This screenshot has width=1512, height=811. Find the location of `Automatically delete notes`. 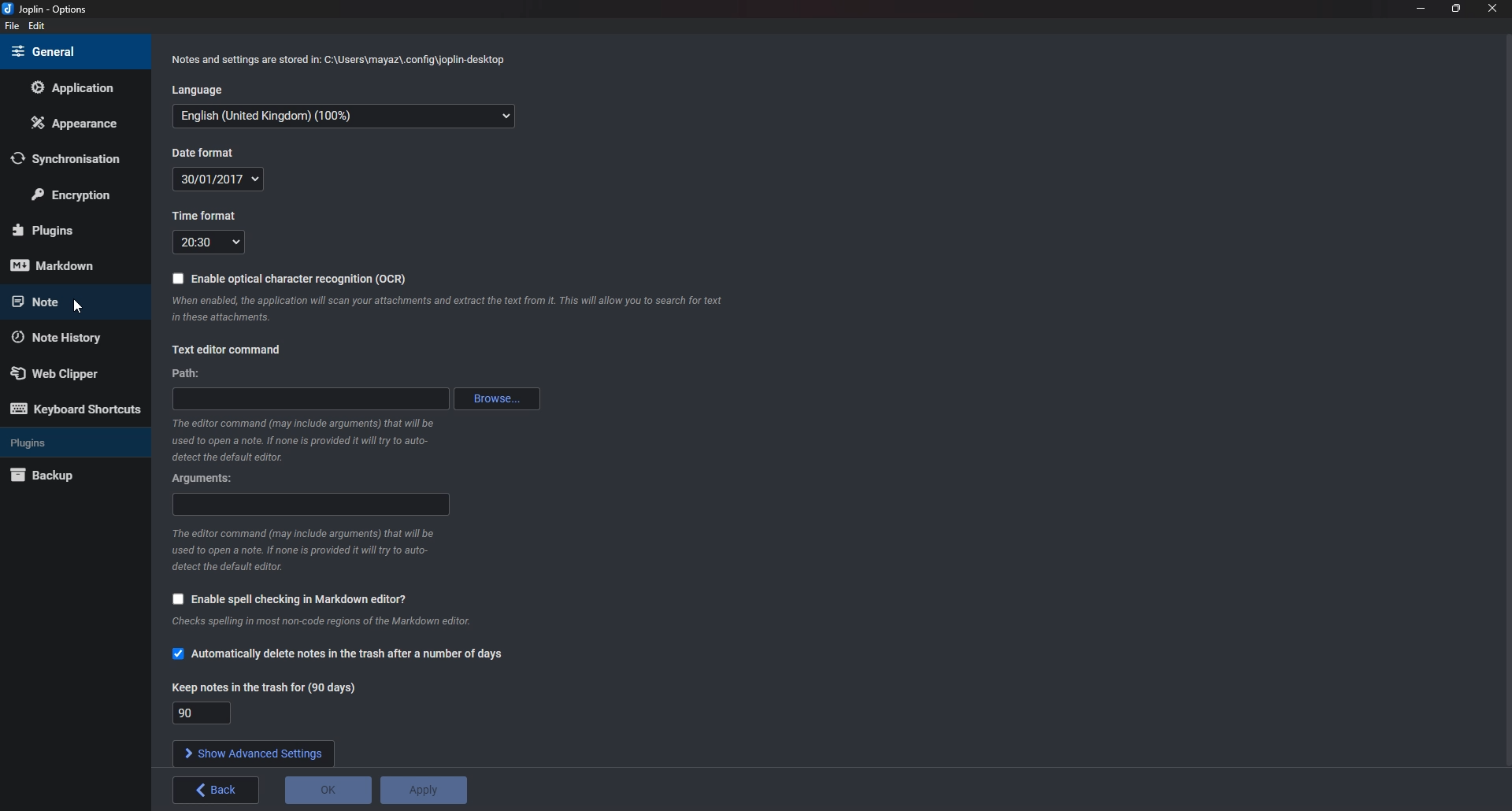

Automatically delete notes is located at coordinates (344, 654).